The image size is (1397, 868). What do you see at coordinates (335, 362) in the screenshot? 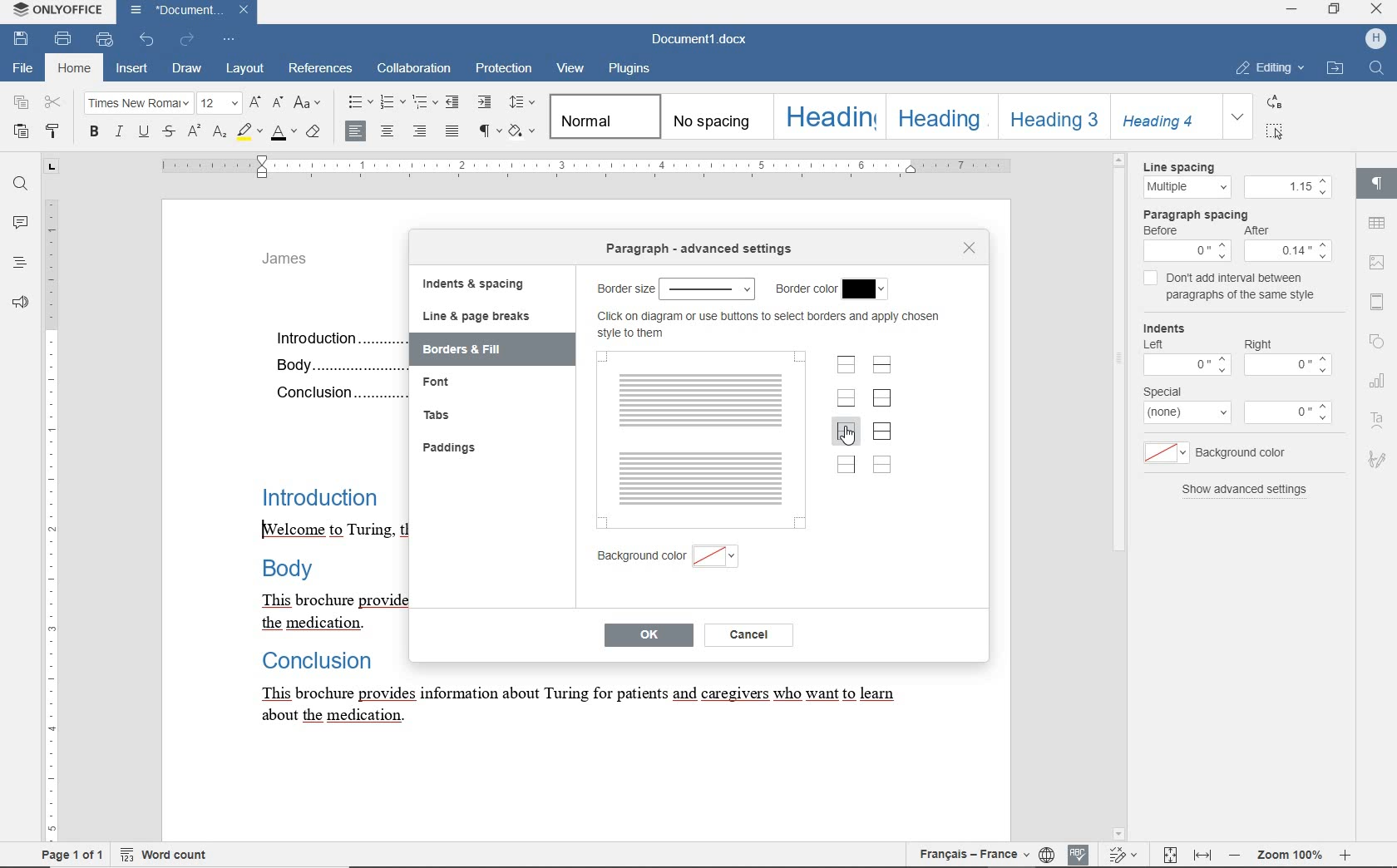
I see `Body` at bounding box center [335, 362].